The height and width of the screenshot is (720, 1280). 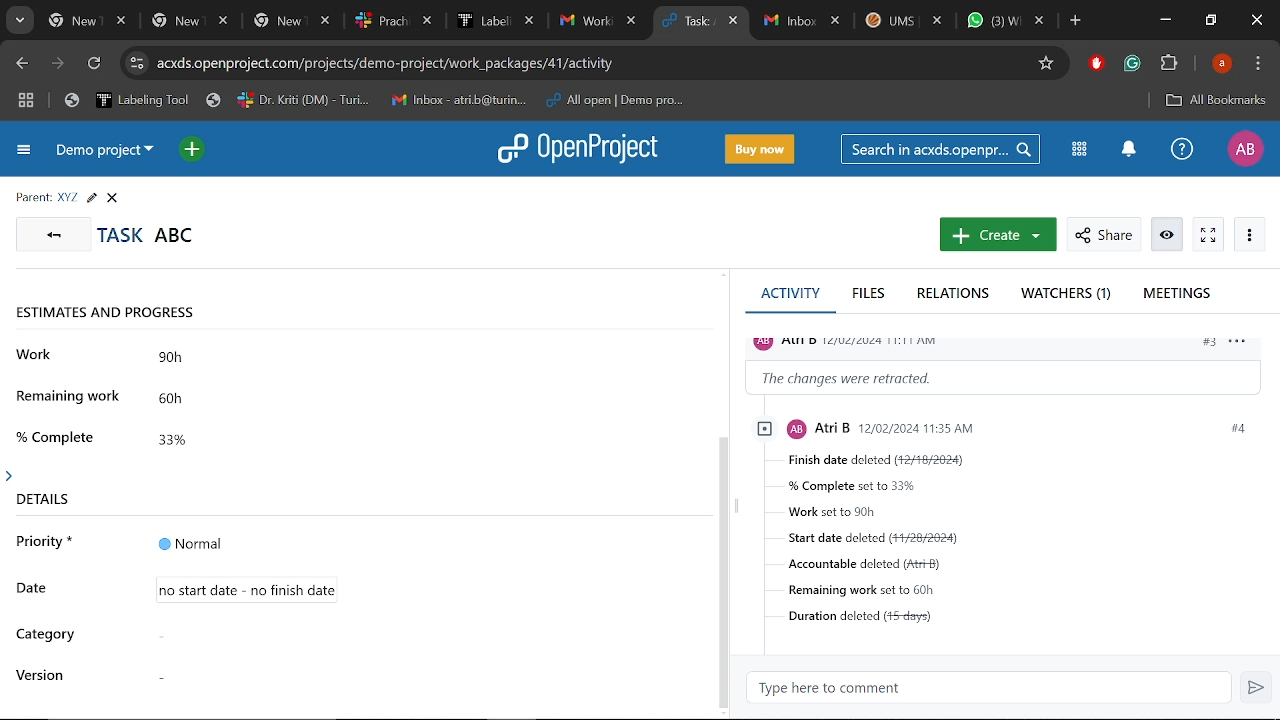 What do you see at coordinates (137, 64) in the screenshot?
I see `Cite info` at bounding box center [137, 64].